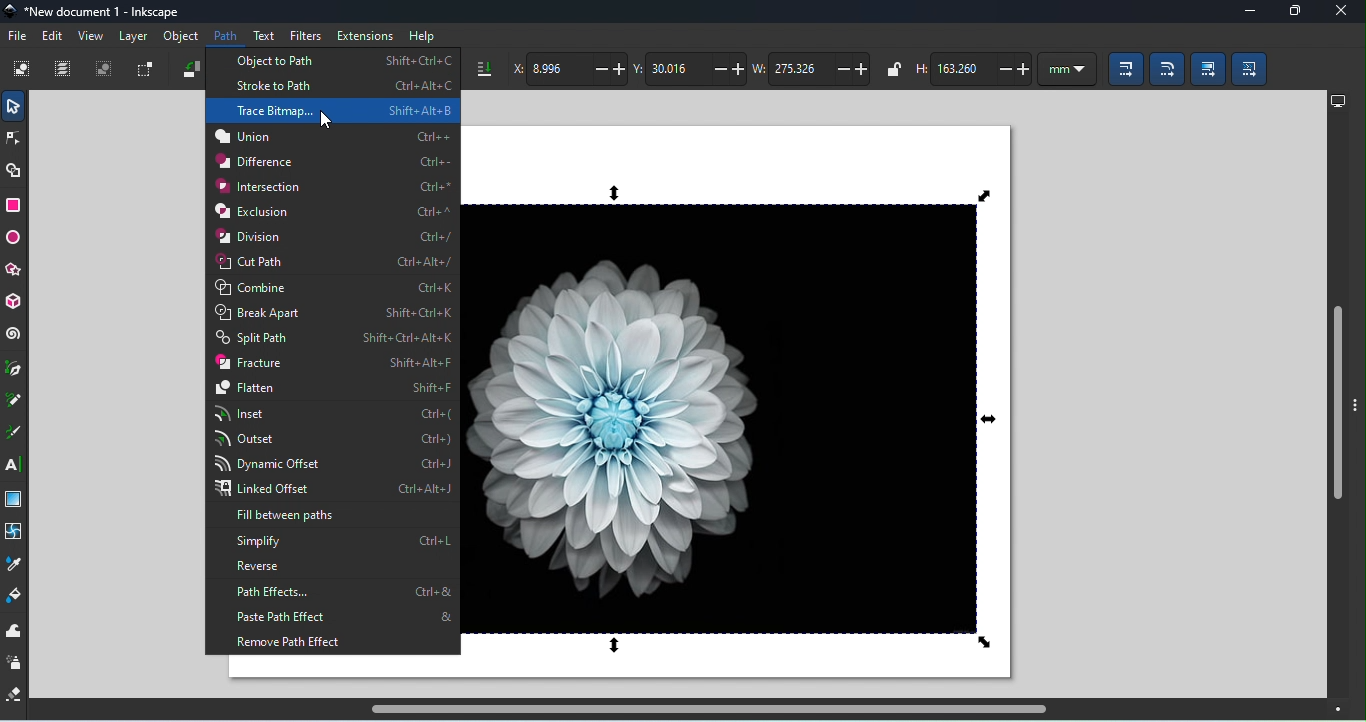  Describe the element at coordinates (891, 69) in the screenshot. I see `When locked, change width and height by the same propotion` at that location.